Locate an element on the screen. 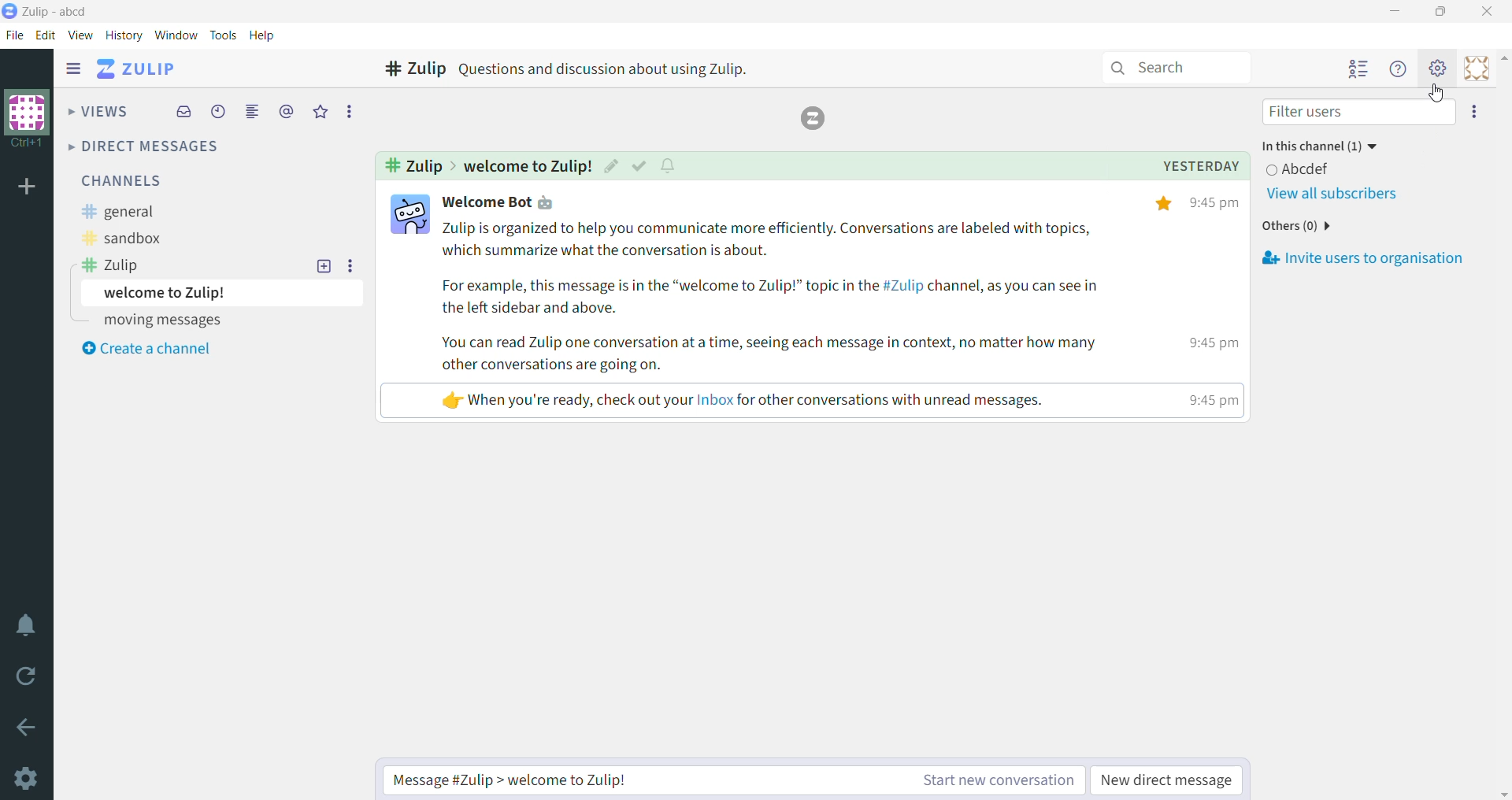  Show/Hide left sidebar is located at coordinates (73, 69).